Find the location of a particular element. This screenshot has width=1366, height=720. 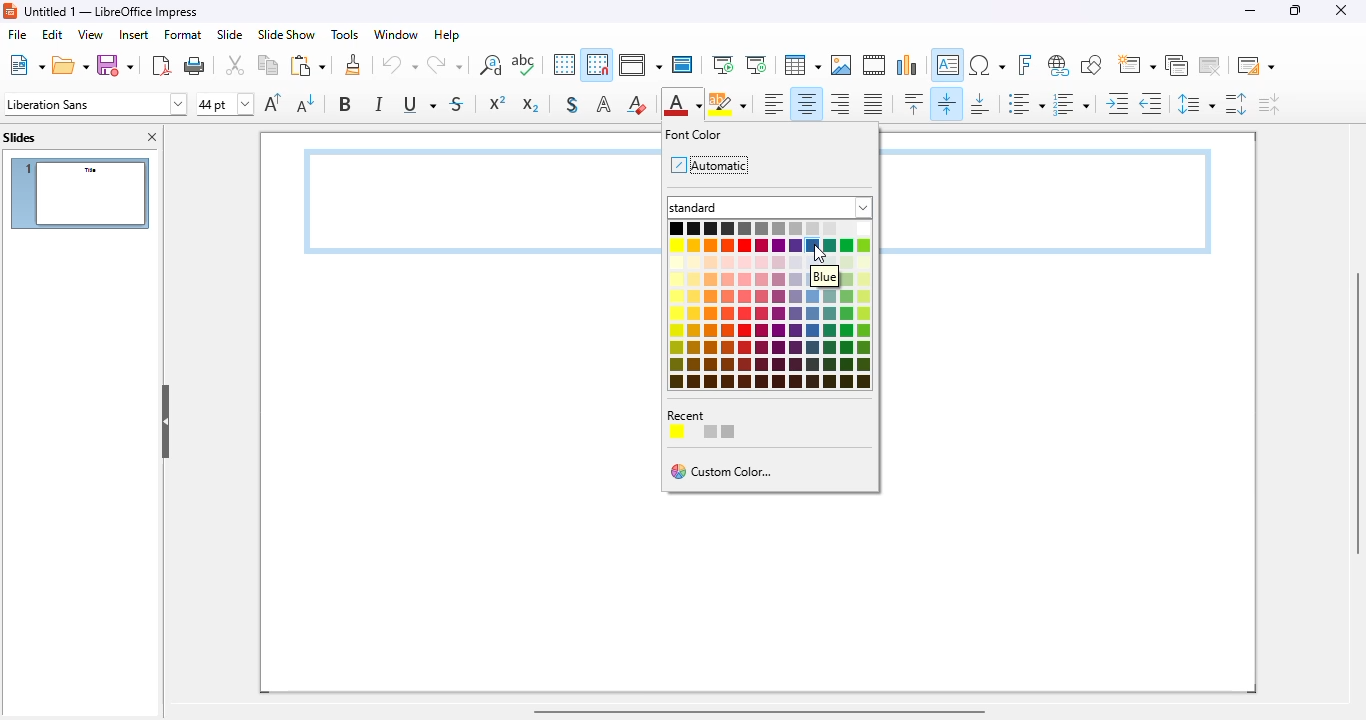

character highlighting color is located at coordinates (728, 103).